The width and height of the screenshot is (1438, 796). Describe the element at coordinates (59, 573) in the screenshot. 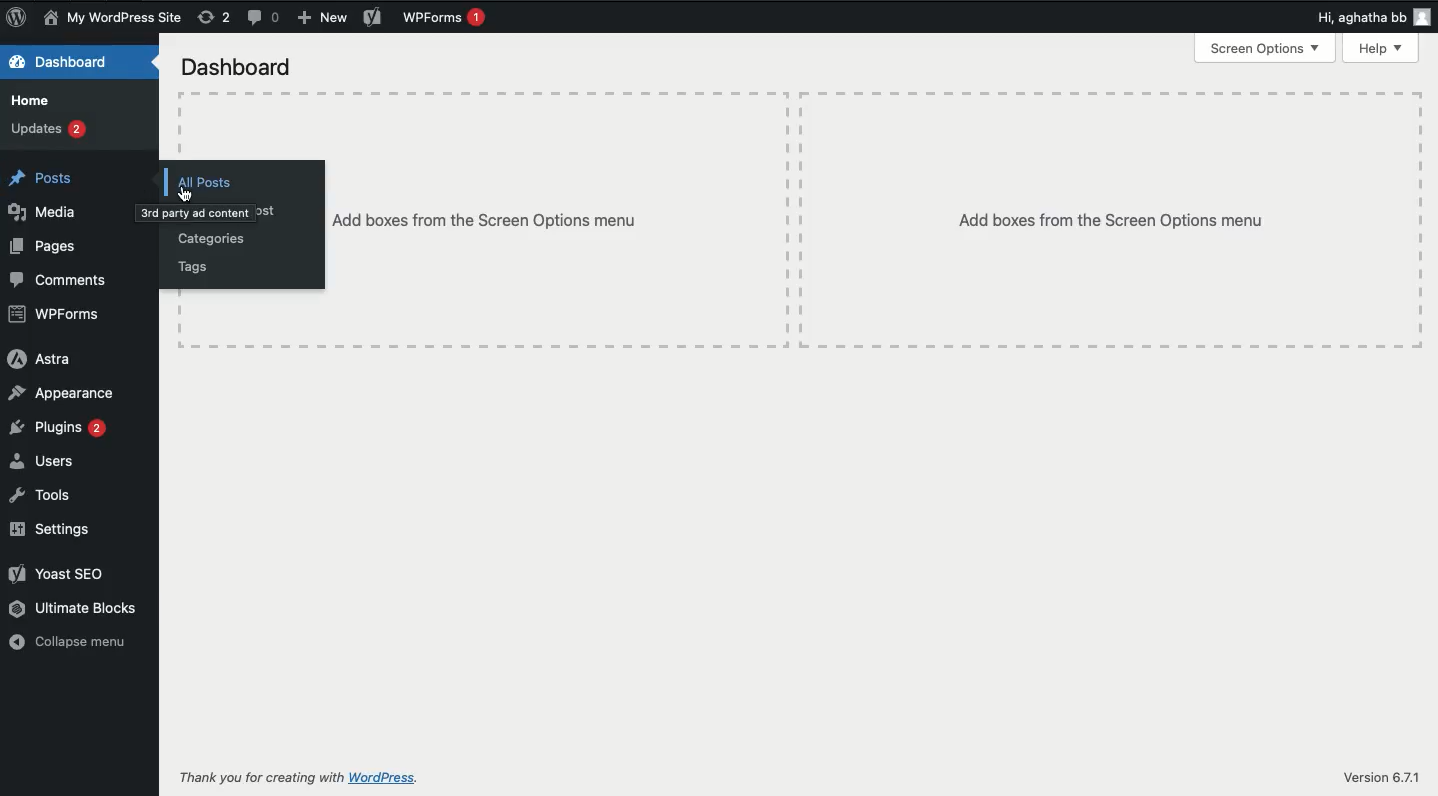

I see `Yoast` at that location.